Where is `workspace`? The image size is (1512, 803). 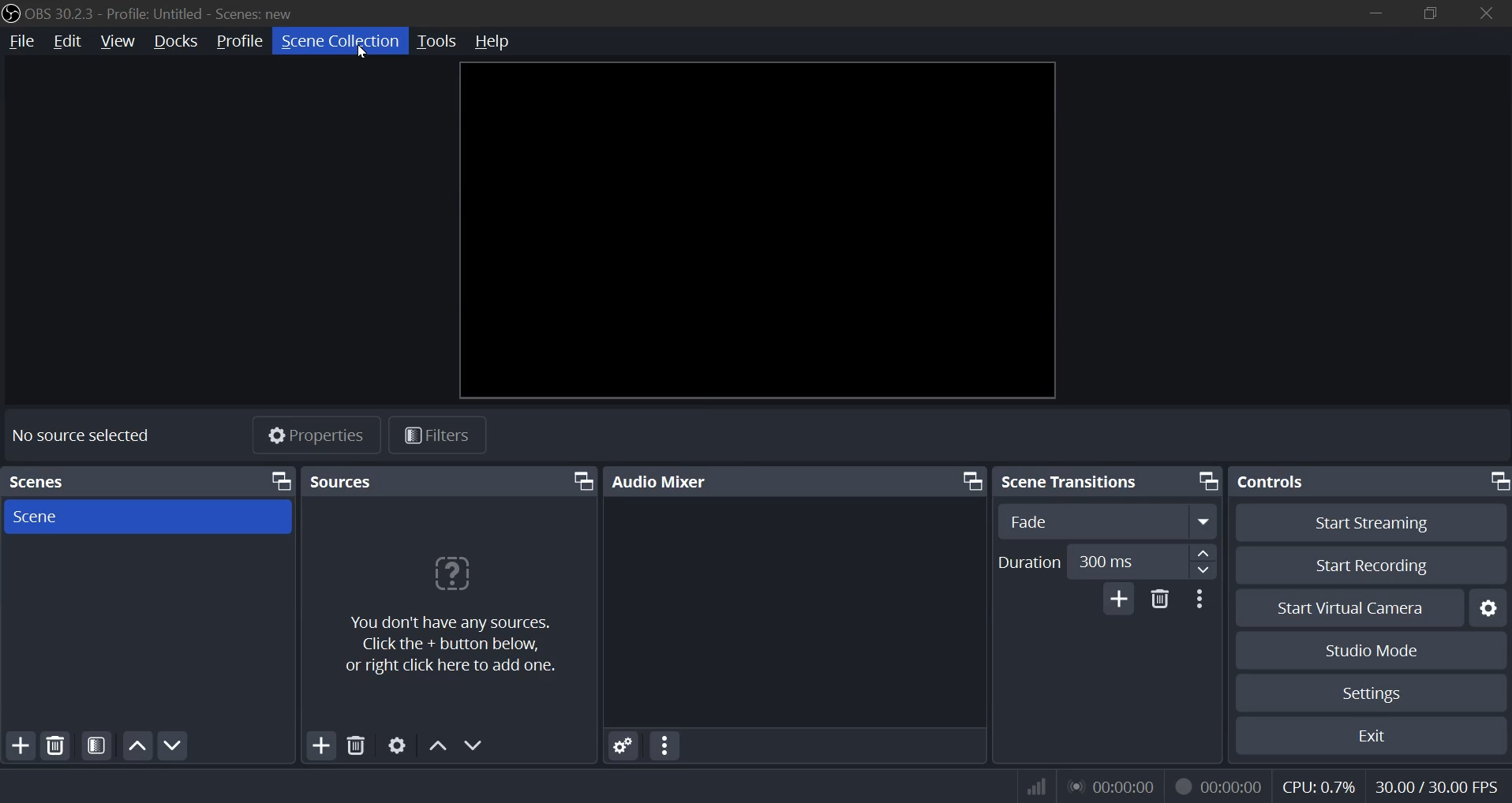
workspace is located at coordinates (756, 230).